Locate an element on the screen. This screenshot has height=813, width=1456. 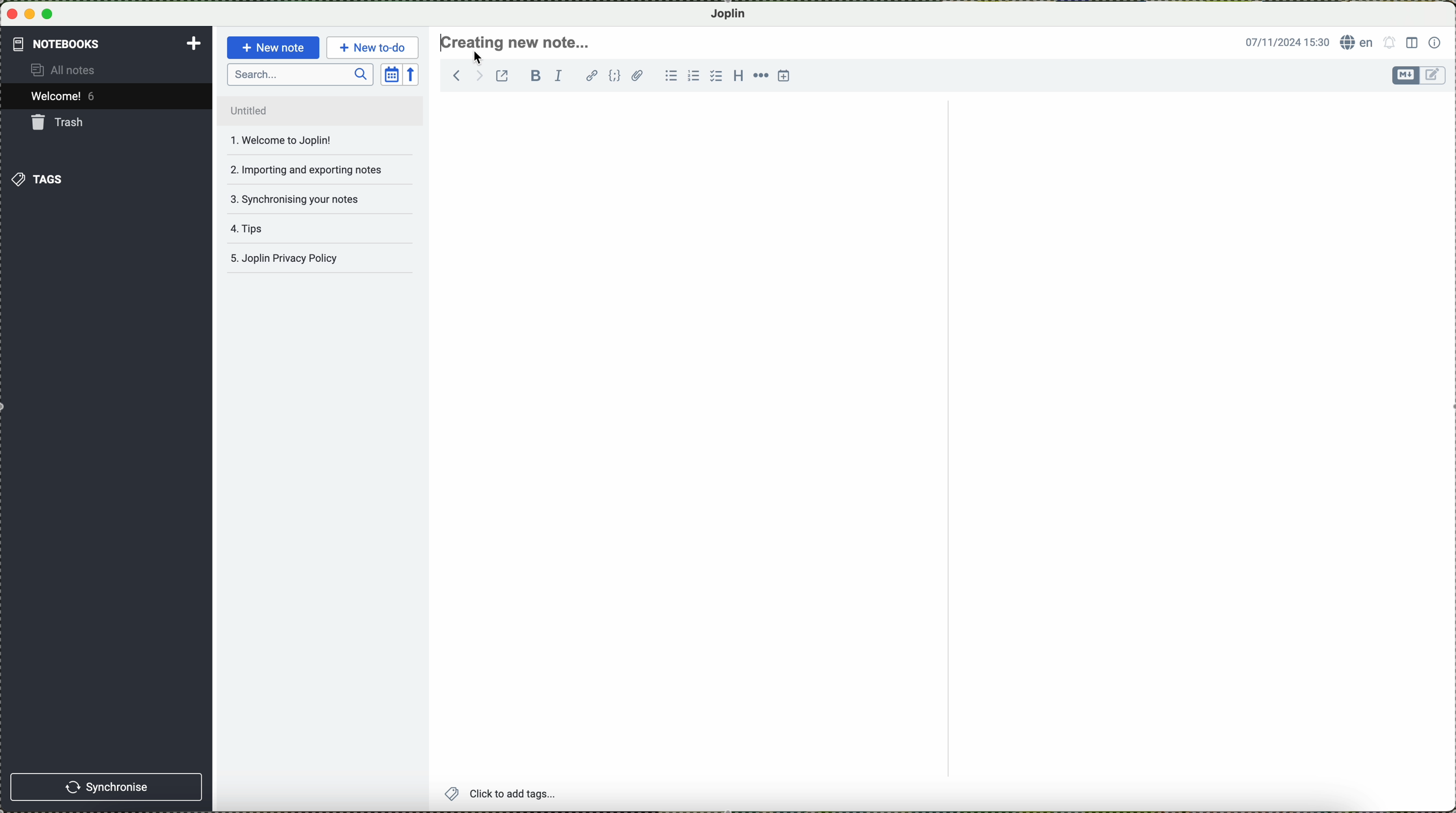
all notes is located at coordinates (73, 71).